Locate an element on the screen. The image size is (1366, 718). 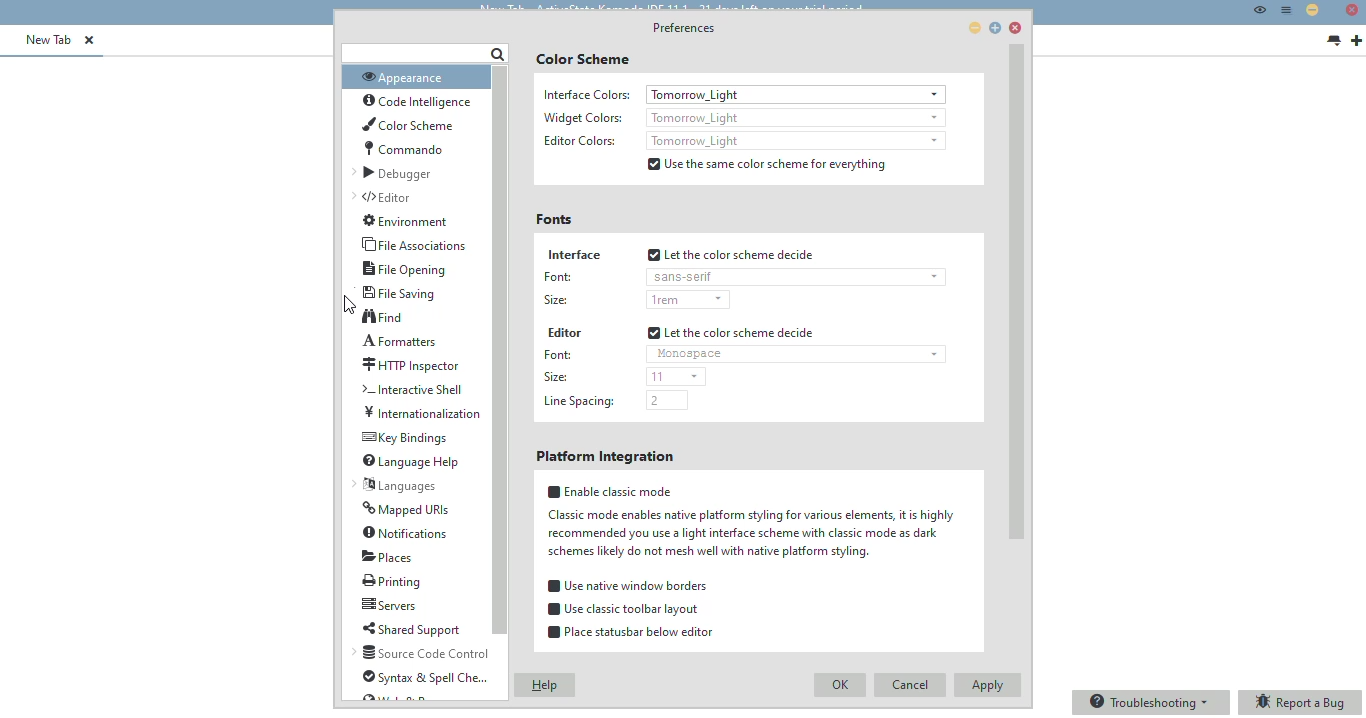
color scheme is located at coordinates (407, 124).